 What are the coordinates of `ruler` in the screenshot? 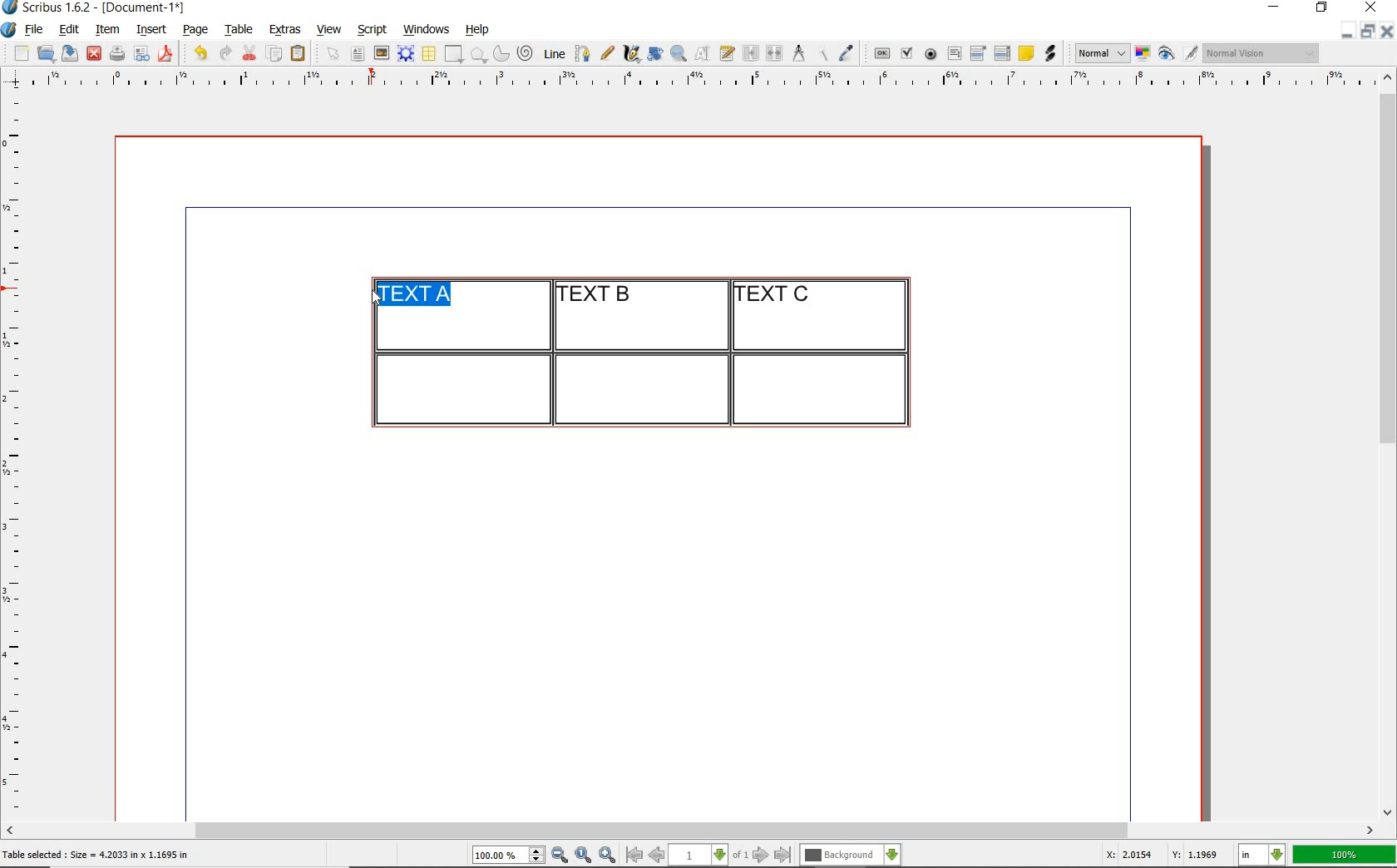 It's located at (18, 454).